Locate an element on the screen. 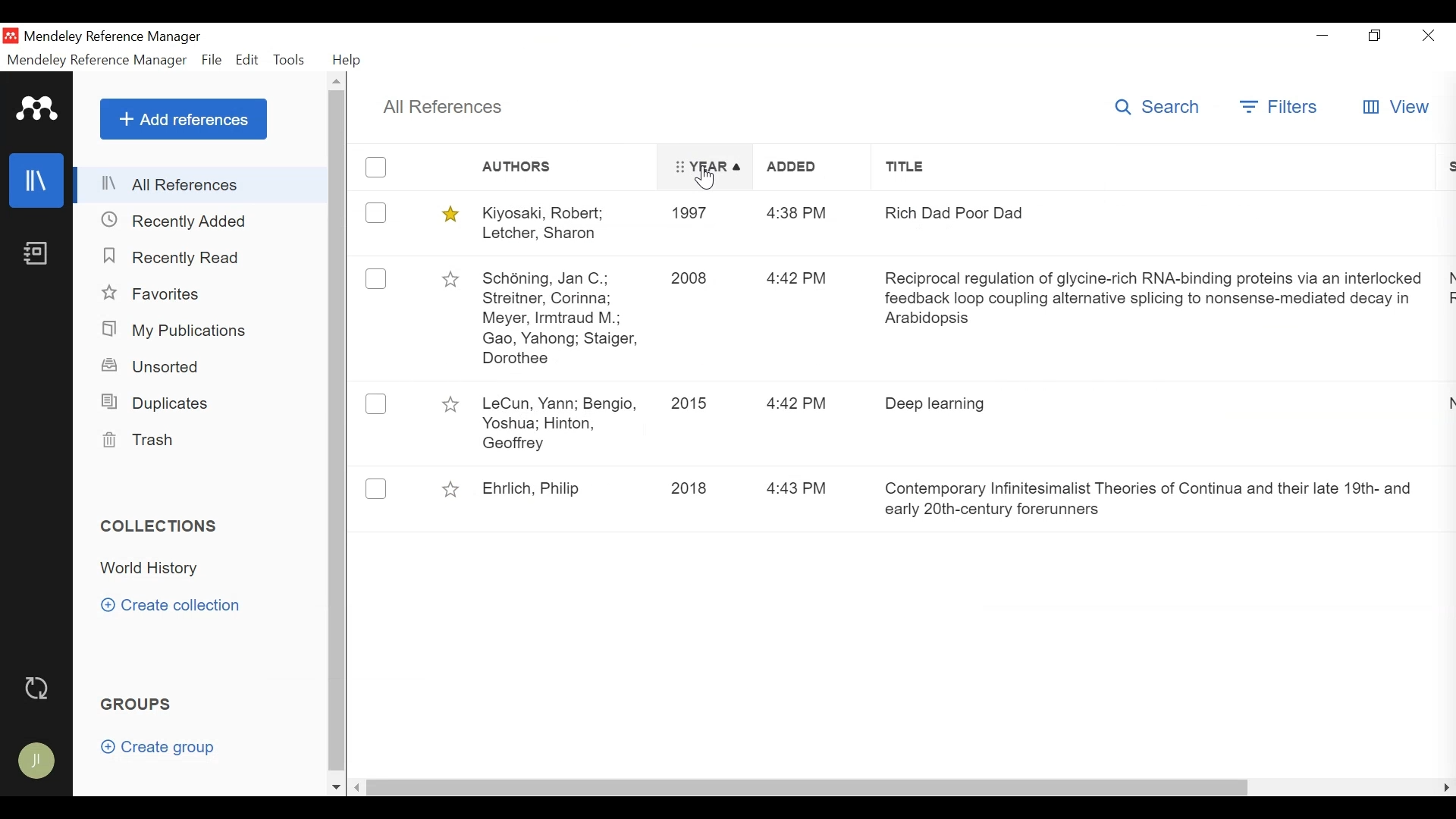  (un)Select Favorites is located at coordinates (450, 403).